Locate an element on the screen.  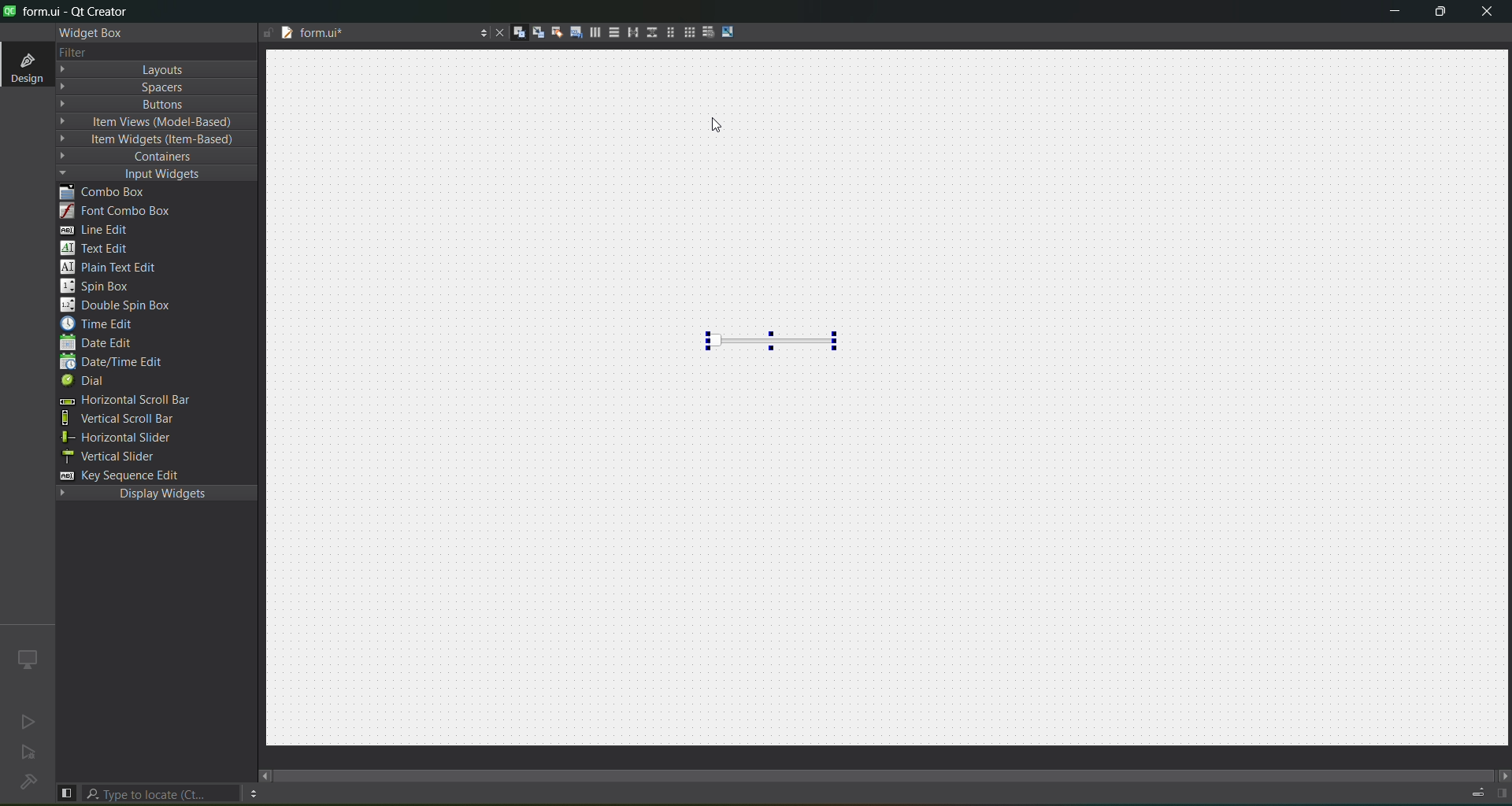
spin box is located at coordinates (99, 287).